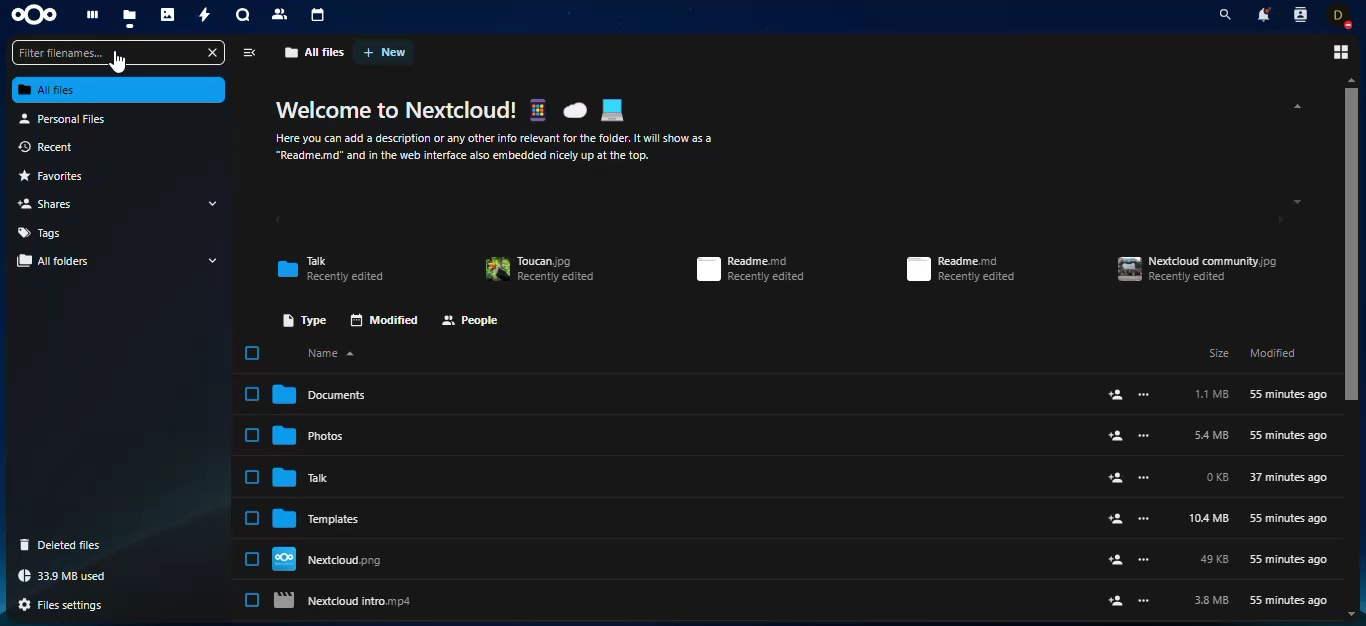 Image resolution: width=1366 pixels, height=626 pixels. What do you see at coordinates (277, 221) in the screenshot?
I see `scroll left` at bounding box center [277, 221].